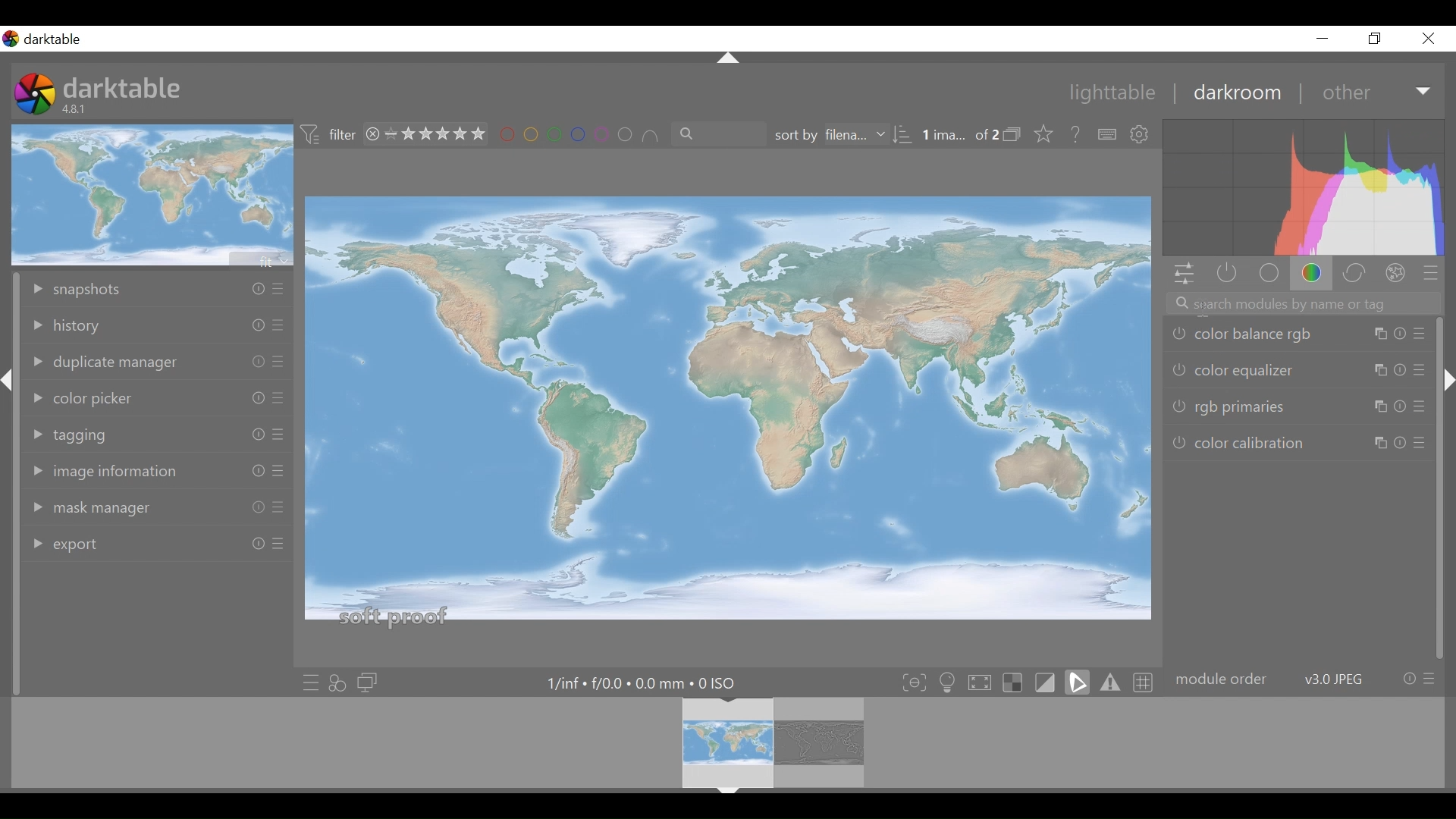 This screenshot has width=1456, height=819. What do you see at coordinates (1298, 369) in the screenshot?
I see `color equalizer` at bounding box center [1298, 369].